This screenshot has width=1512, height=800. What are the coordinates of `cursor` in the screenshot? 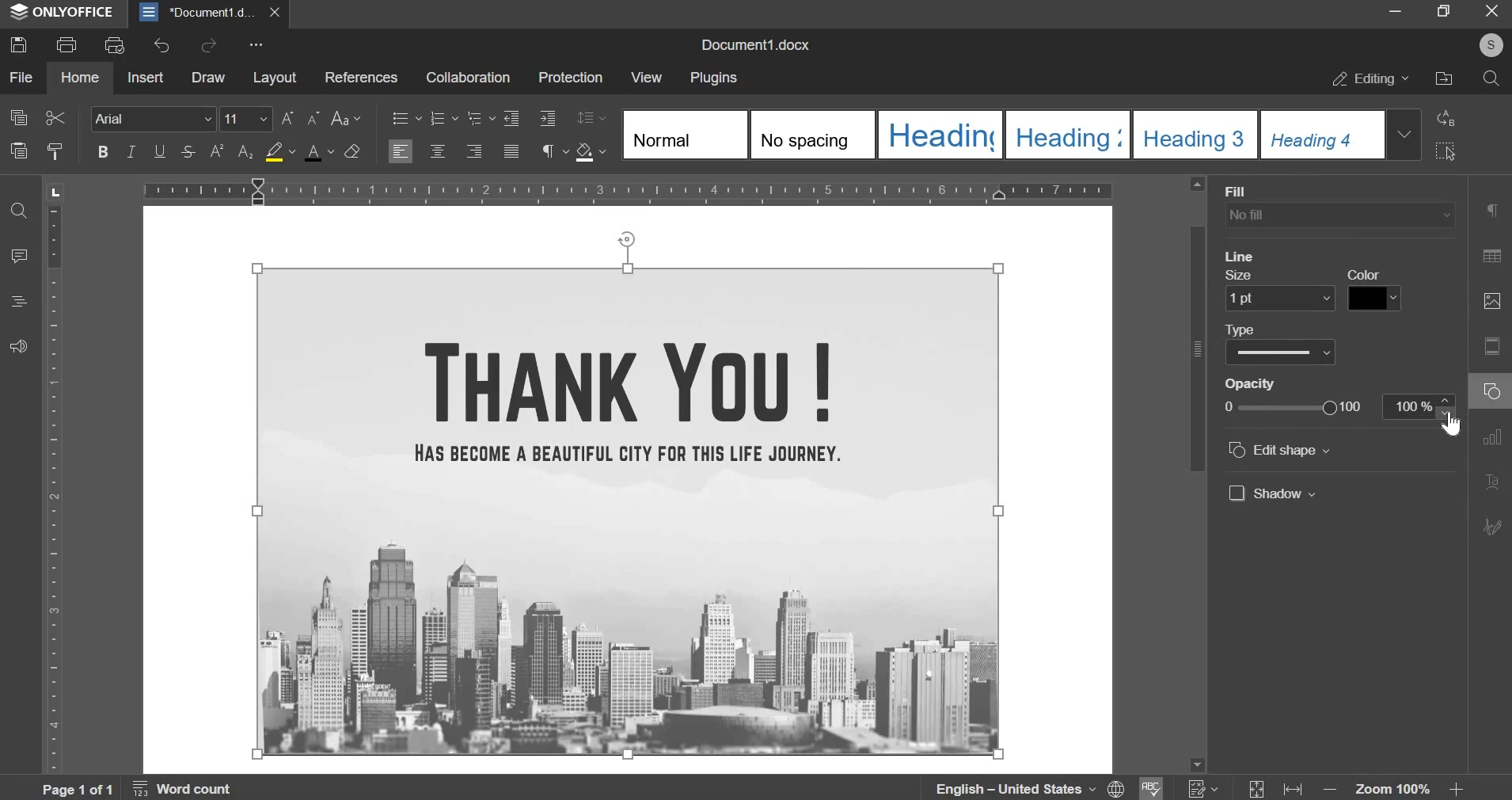 It's located at (1449, 425).